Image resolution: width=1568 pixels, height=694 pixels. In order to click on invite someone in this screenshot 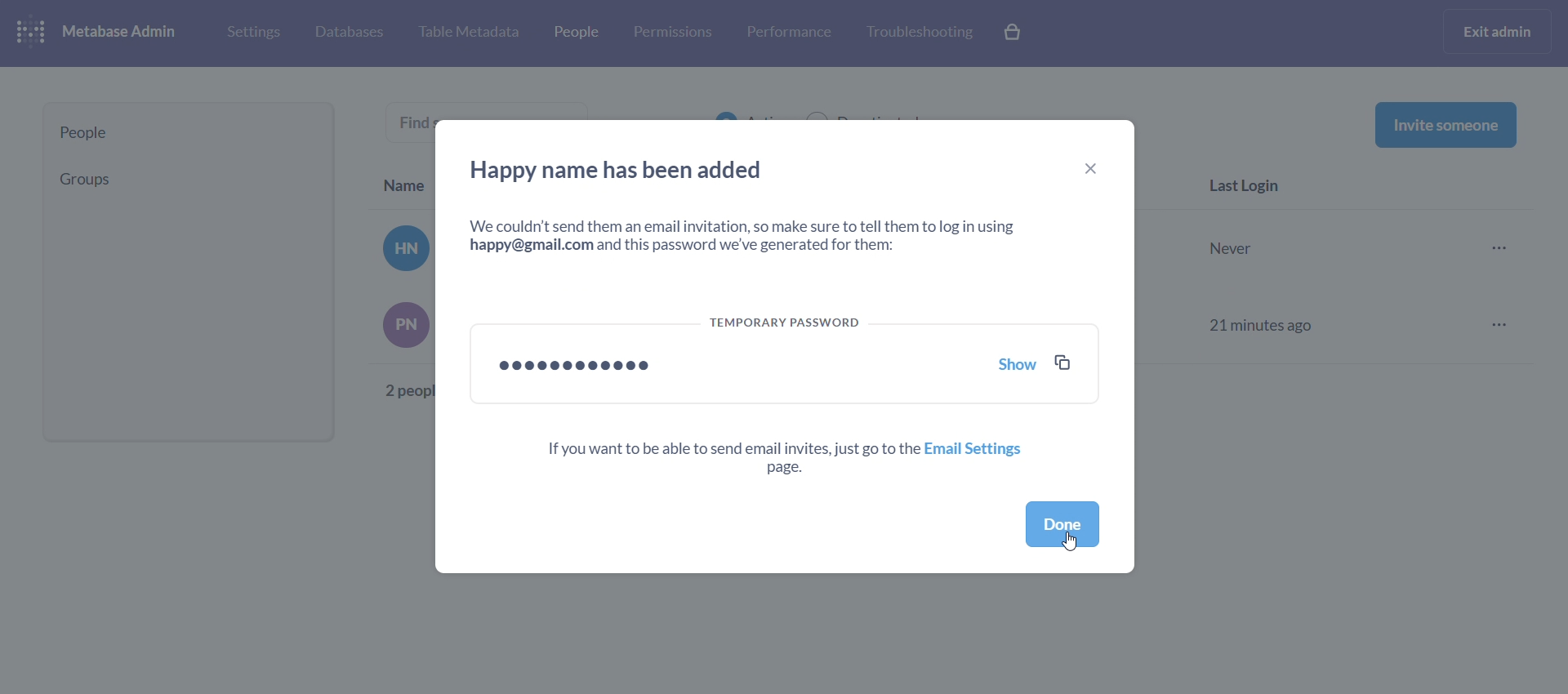, I will do `click(1445, 124)`.